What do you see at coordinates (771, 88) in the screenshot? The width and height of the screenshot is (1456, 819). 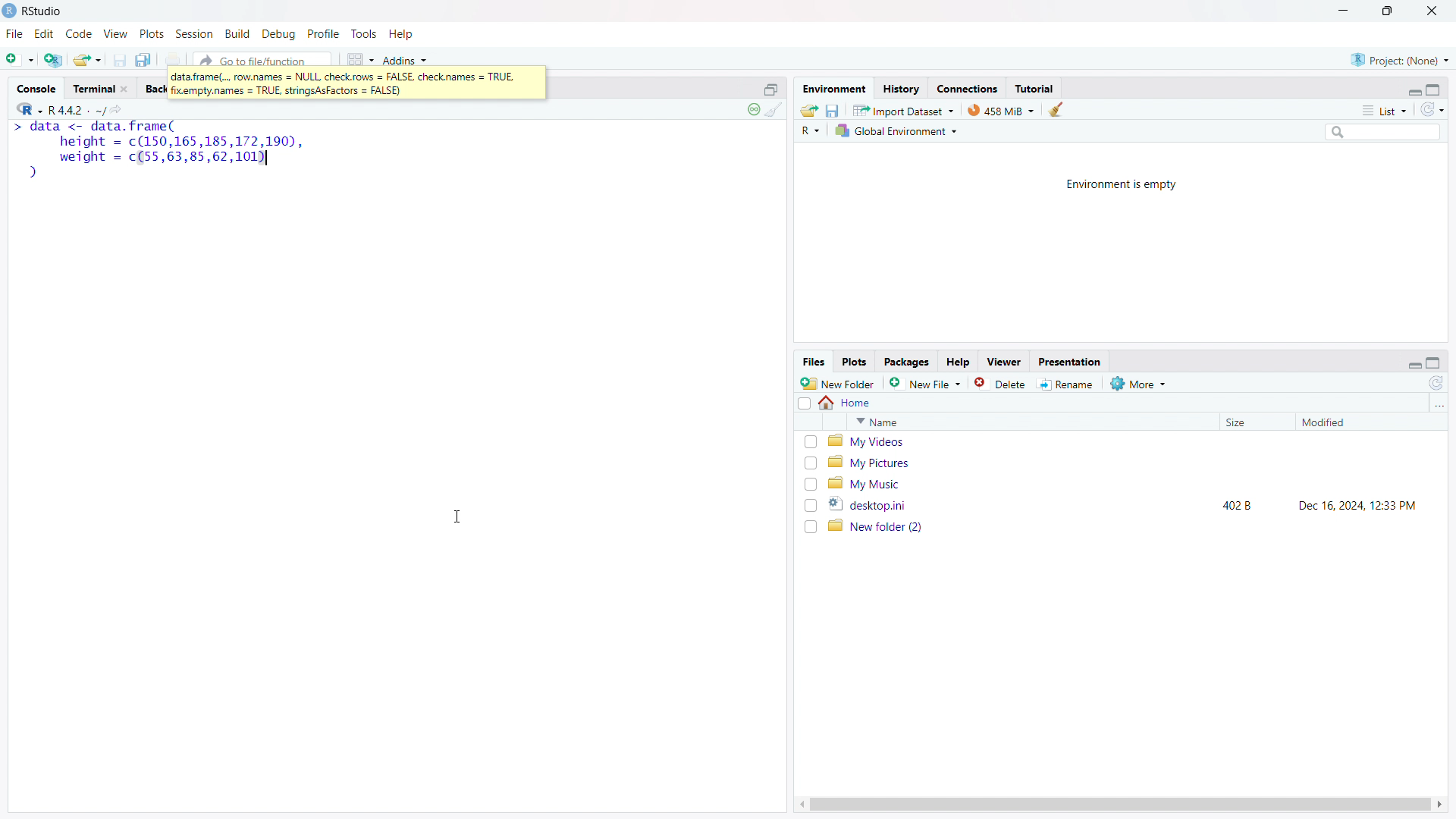 I see `open new console` at bounding box center [771, 88].